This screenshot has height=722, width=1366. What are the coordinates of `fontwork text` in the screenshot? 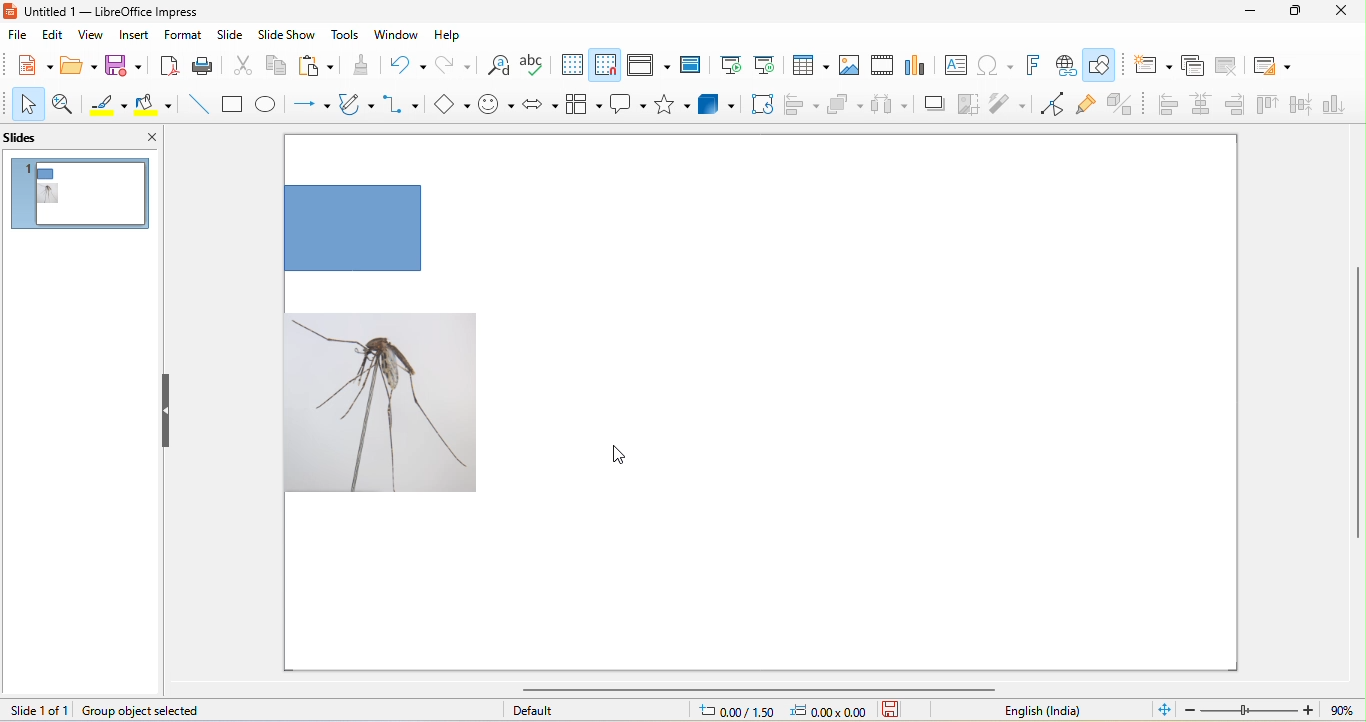 It's located at (1034, 63).